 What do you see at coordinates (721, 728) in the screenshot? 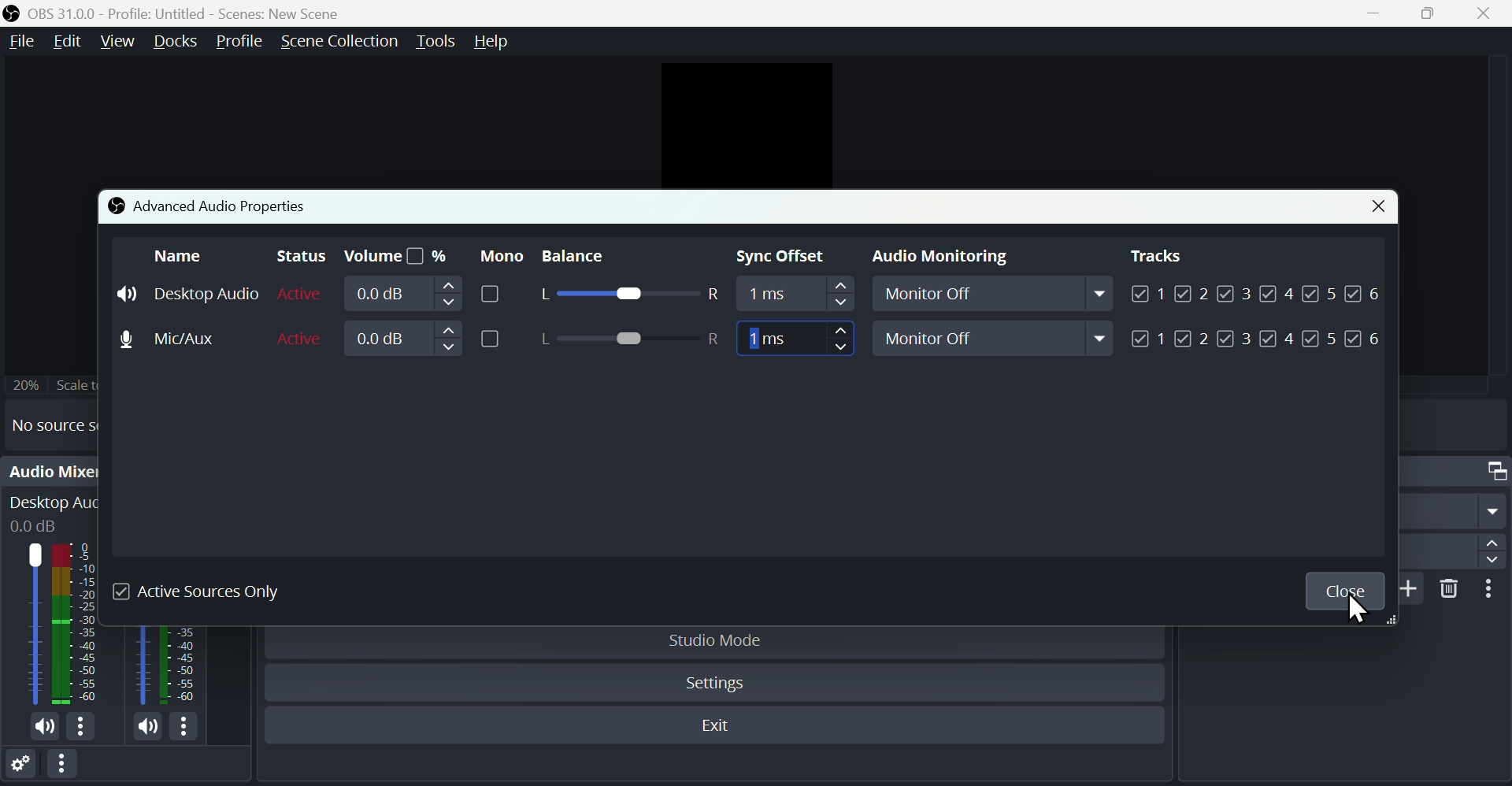
I see `Exit` at bounding box center [721, 728].